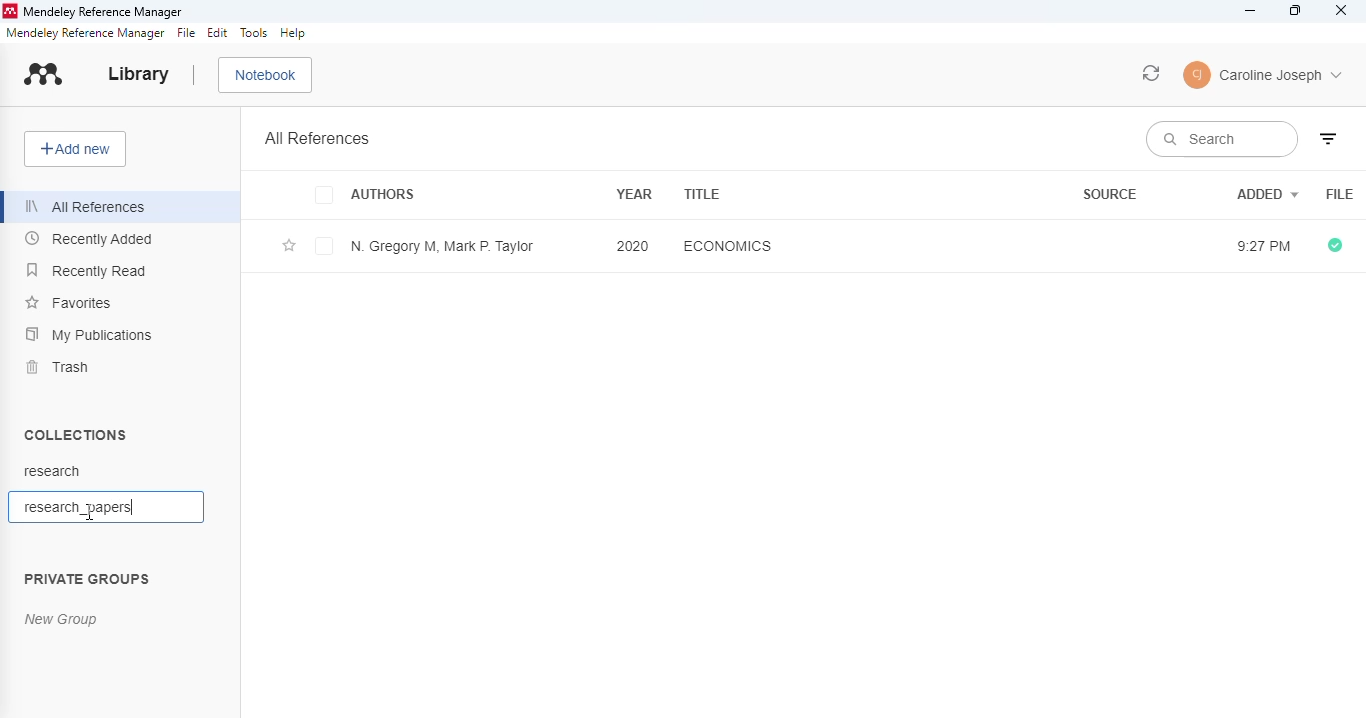 Image resolution: width=1366 pixels, height=718 pixels. Describe the element at coordinates (442, 246) in the screenshot. I see `N. Gregory M, Mark P. Taylor` at that location.